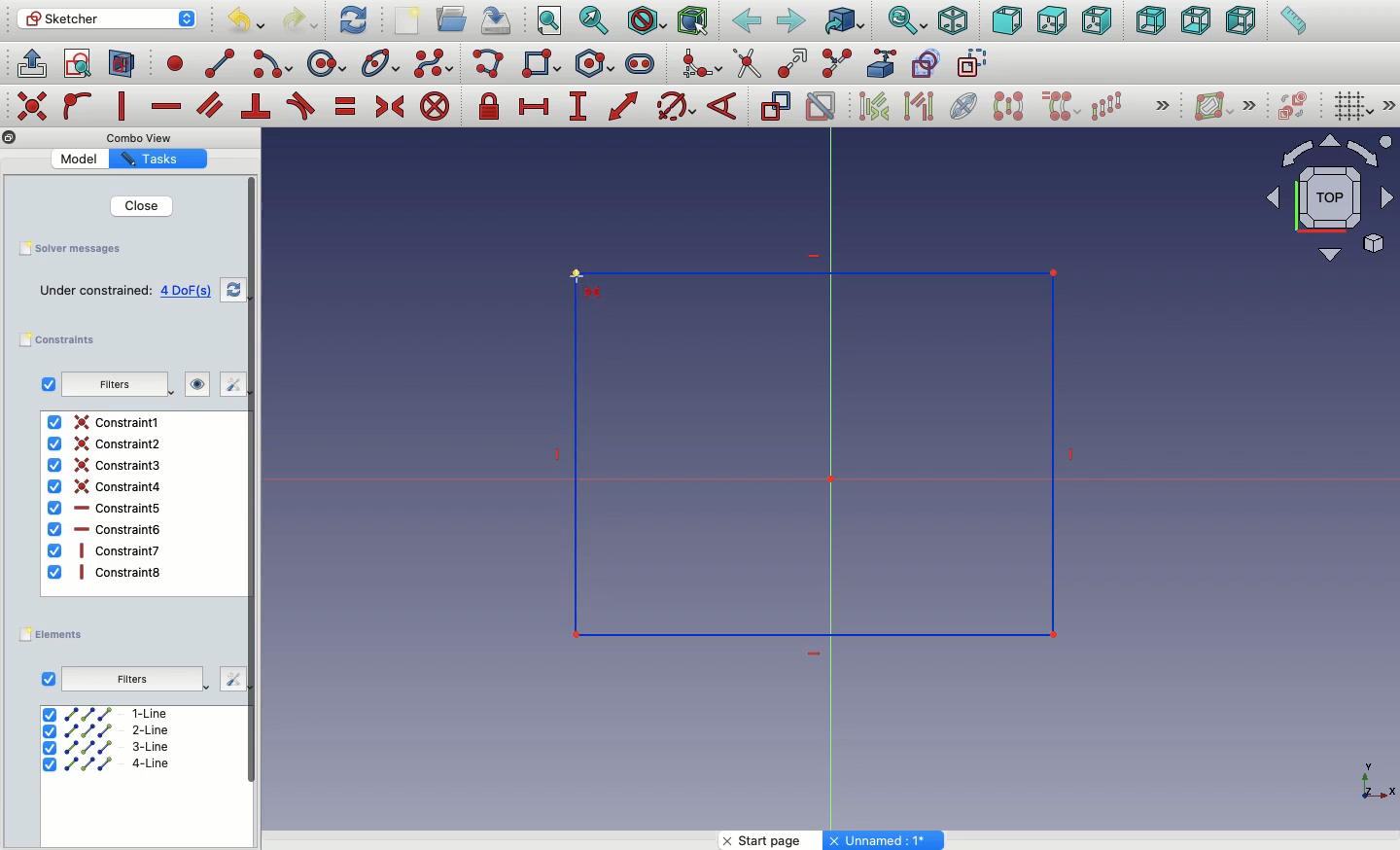 This screenshot has height=850, width=1400. What do you see at coordinates (105, 529) in the screenshot?
I see `Constraint6` at bounding box center [105, 529].